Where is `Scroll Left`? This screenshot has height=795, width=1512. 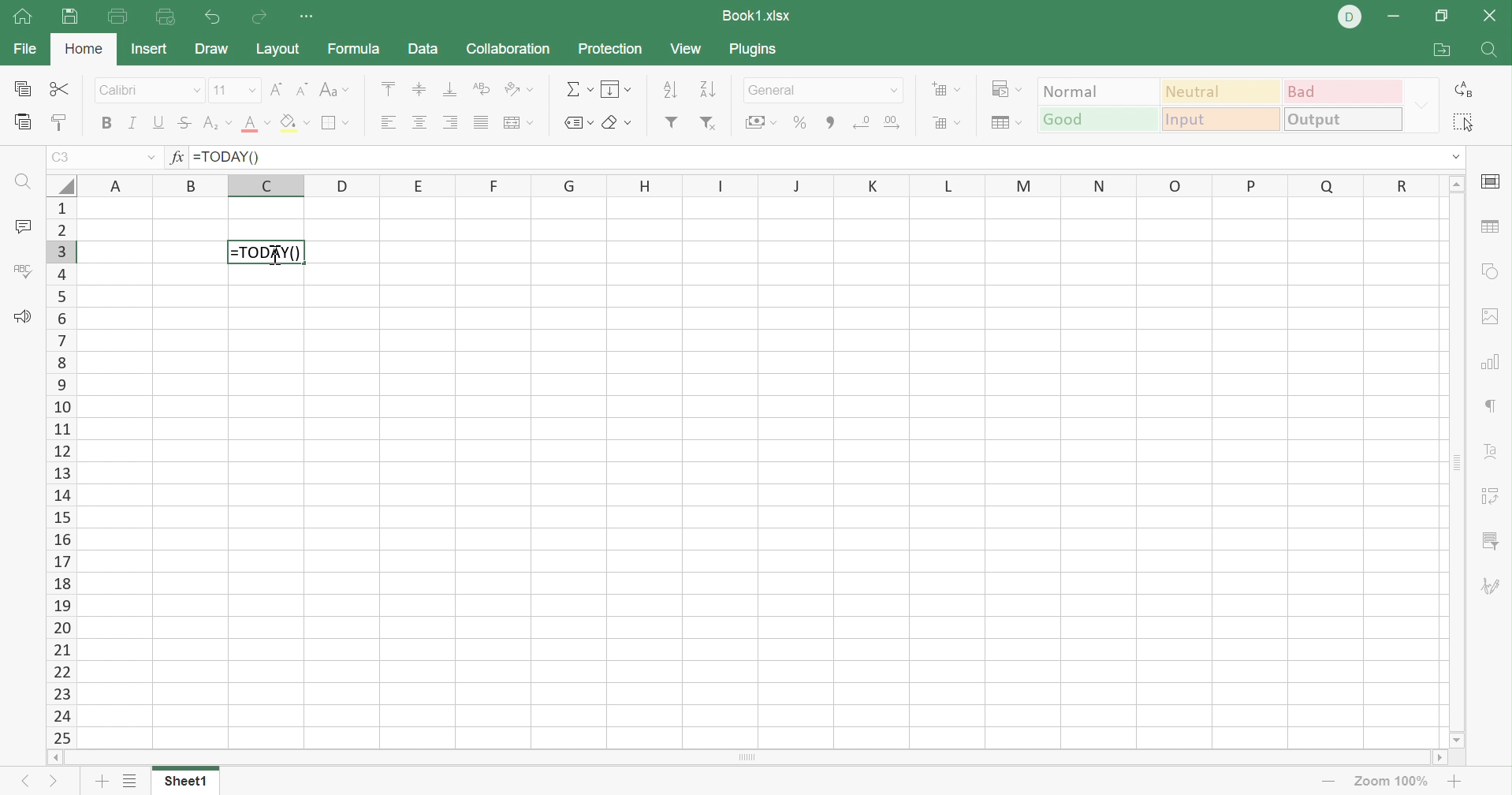 Scroll Left is located at coordinates (141, 2253).